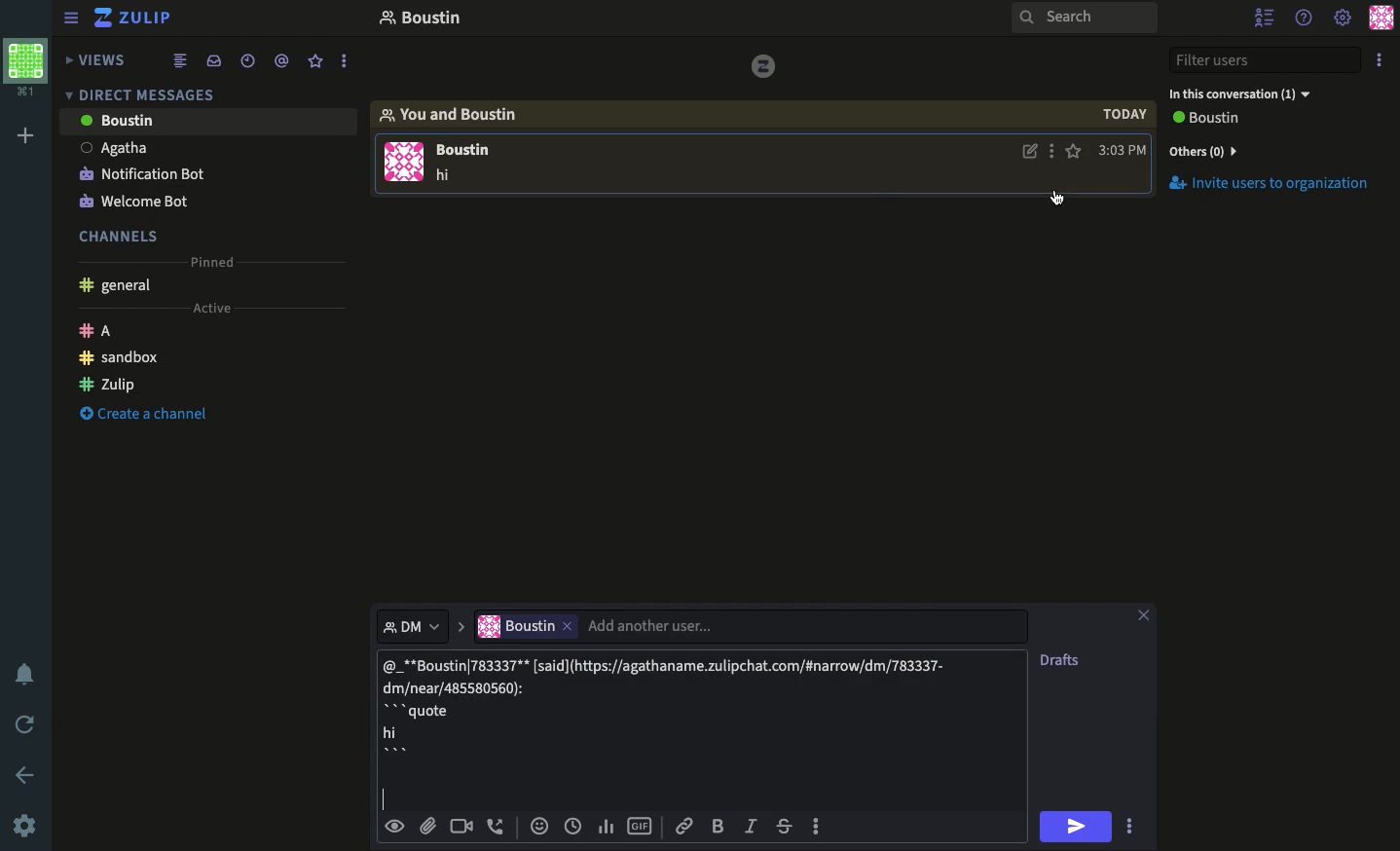 Image resolution: width=1400 pixels, height=851 pixels. I want to click on Options, so click(1129, 825).